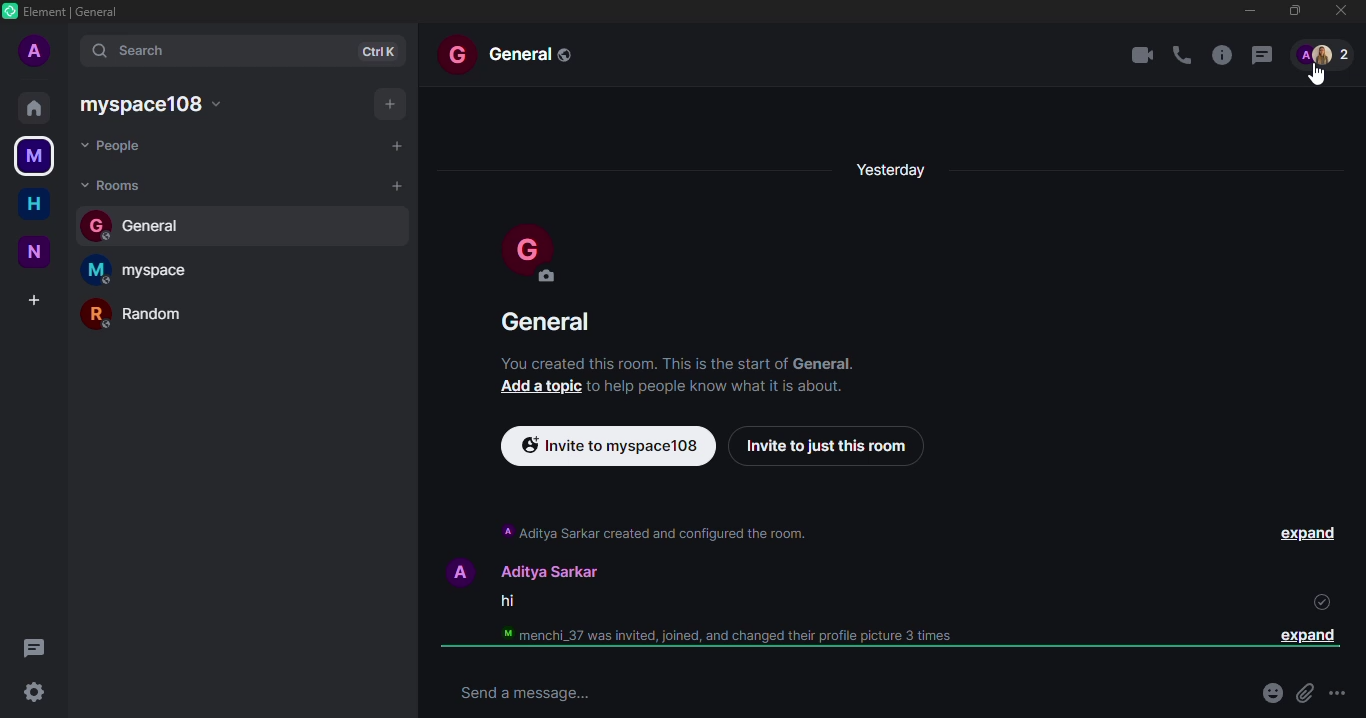 The width and height of the screenshot is (1366, 718). Describe the element at coordinates (396, 146) in the screenshot. I see `add` at that location.